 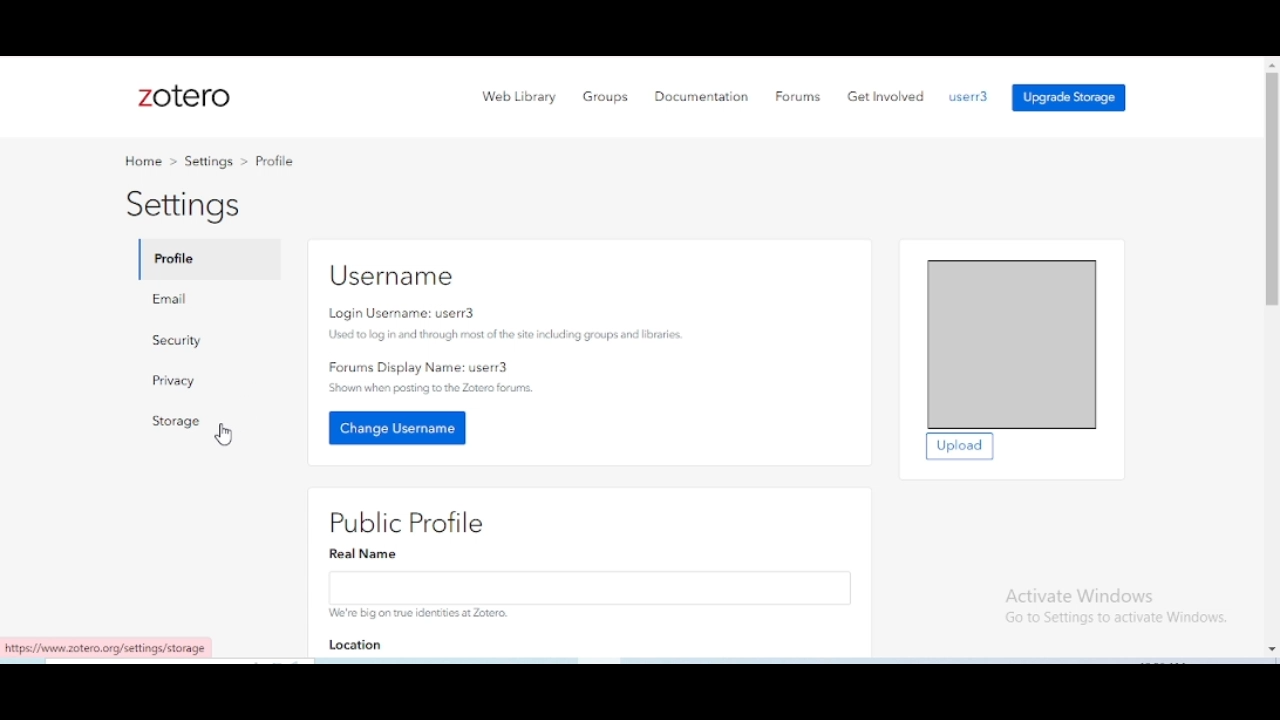 What do you see at coordinates (404, 313) in the screenshot?
I see `Login Username: userr3` at bounding box center [404, 313].